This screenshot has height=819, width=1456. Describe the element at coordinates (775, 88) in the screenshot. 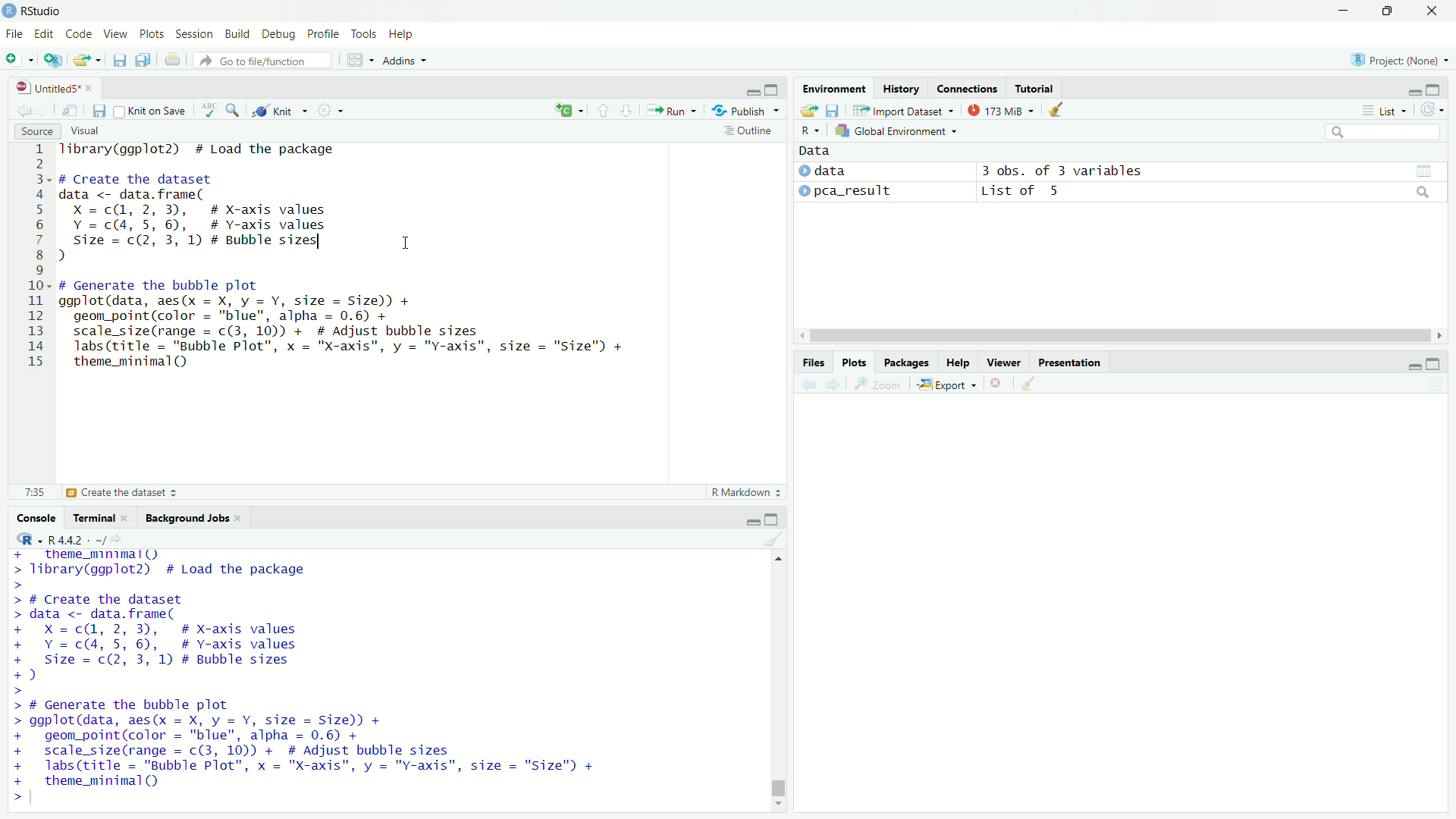

I see `maximize` at that location.